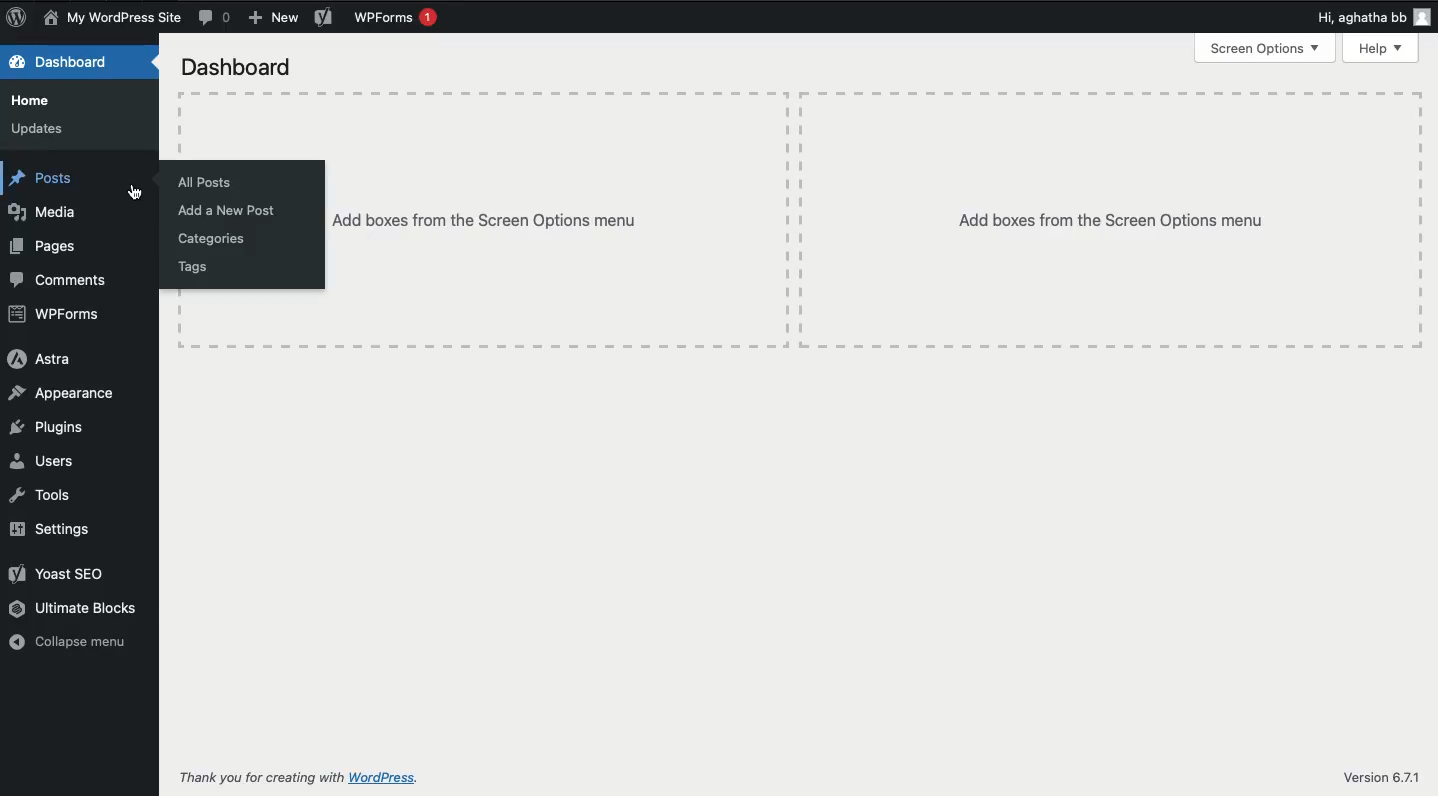 This screenshot has width=1438, height=796. I want to click on Version 6.7.1, so click(1381, 776).